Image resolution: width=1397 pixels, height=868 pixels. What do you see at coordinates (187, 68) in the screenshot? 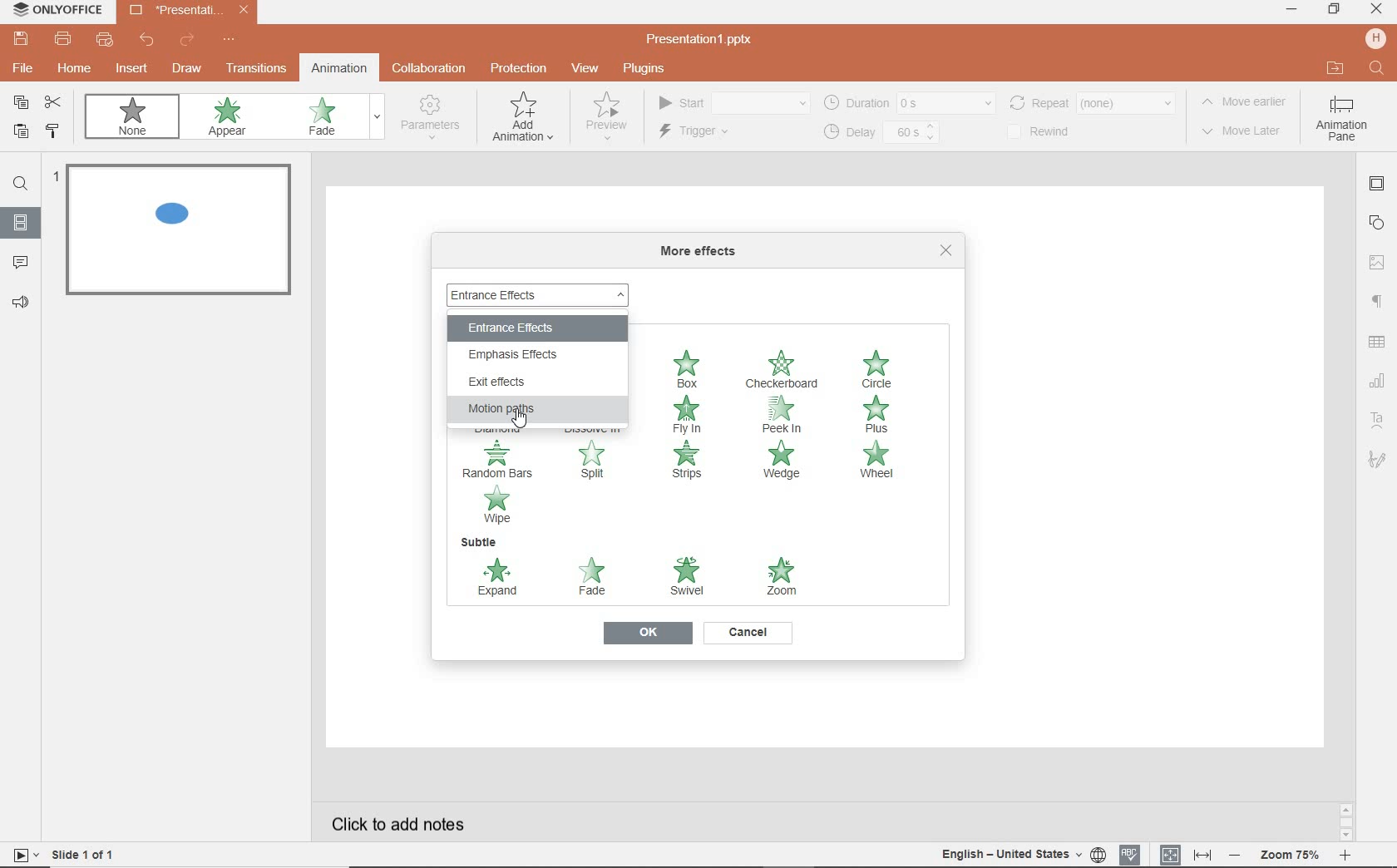
I see `draw` at bounding box center [187, 68].